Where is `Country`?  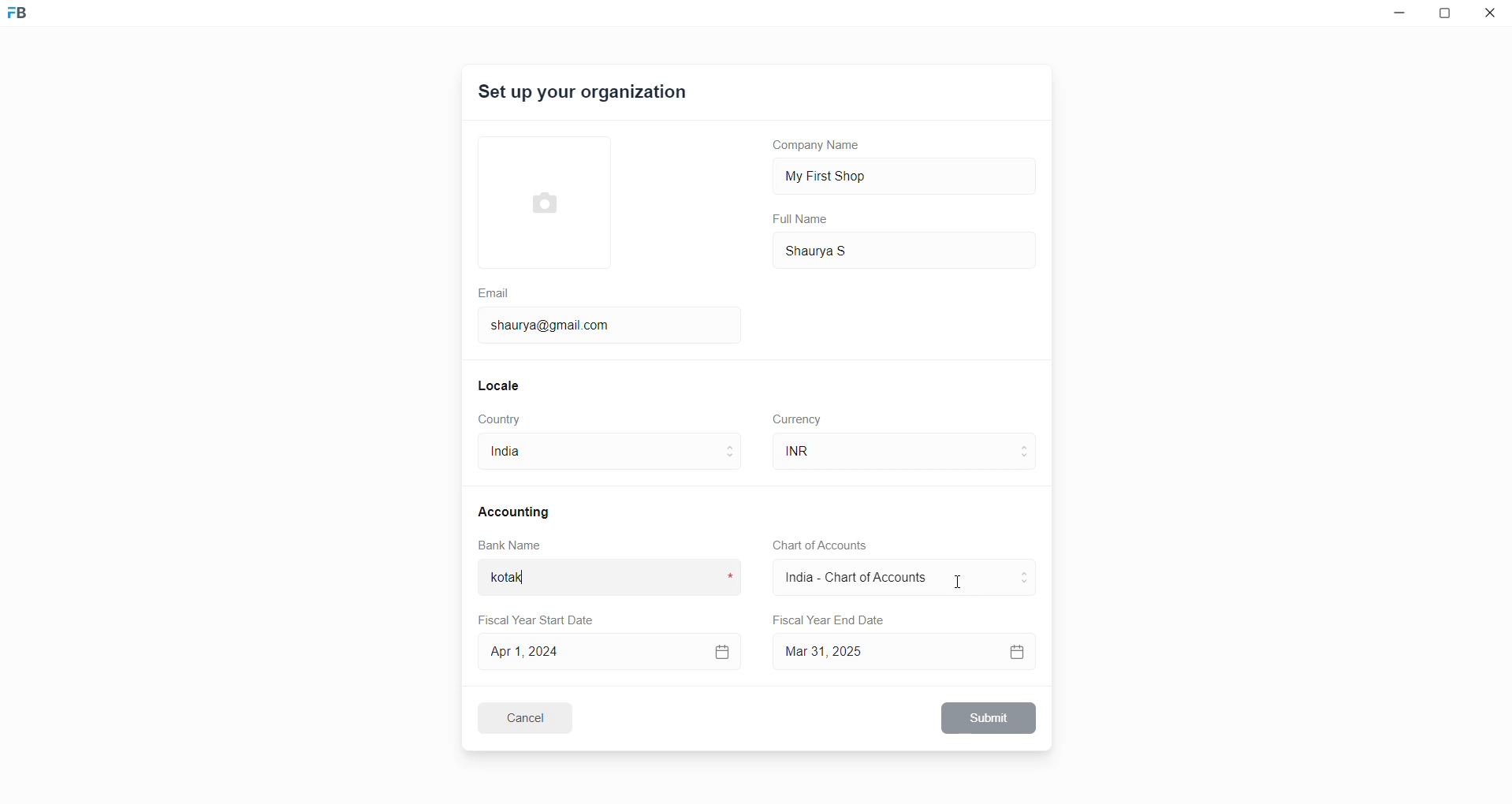 Country is located at coordinates (503, 419).